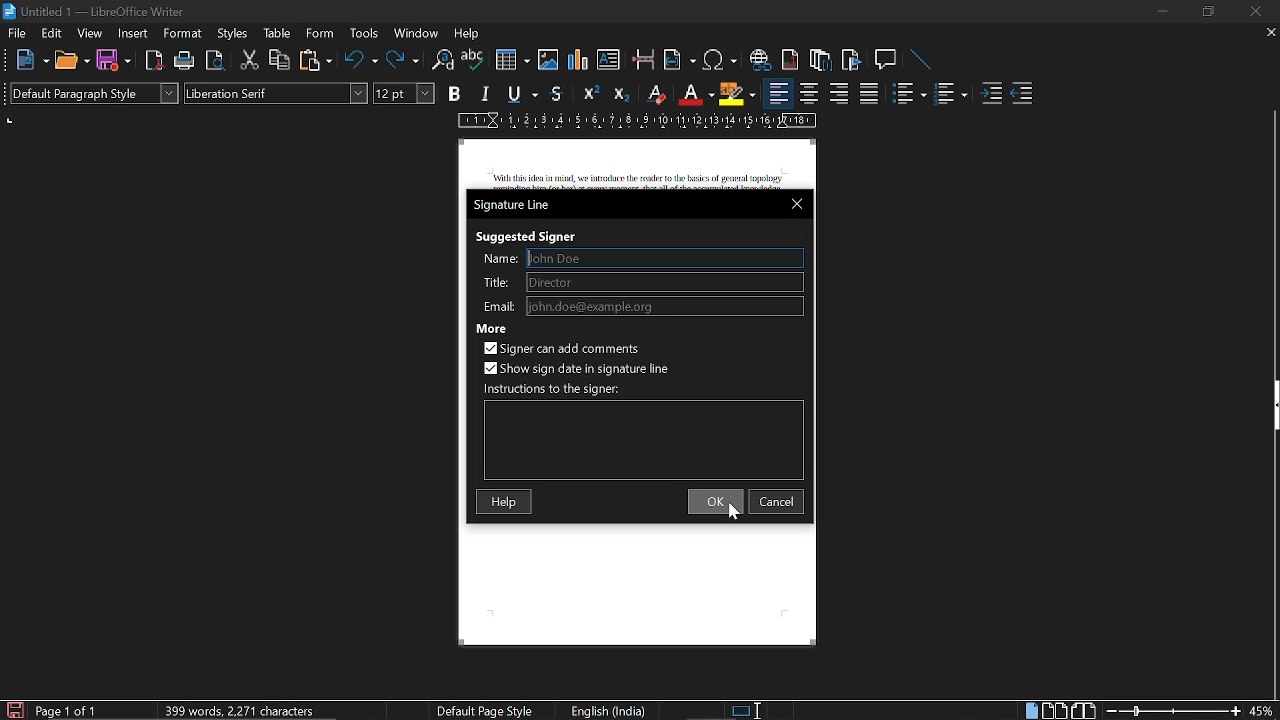 This screenshot has width=1280, height=720. I want to click on tools, so click(364, 35).